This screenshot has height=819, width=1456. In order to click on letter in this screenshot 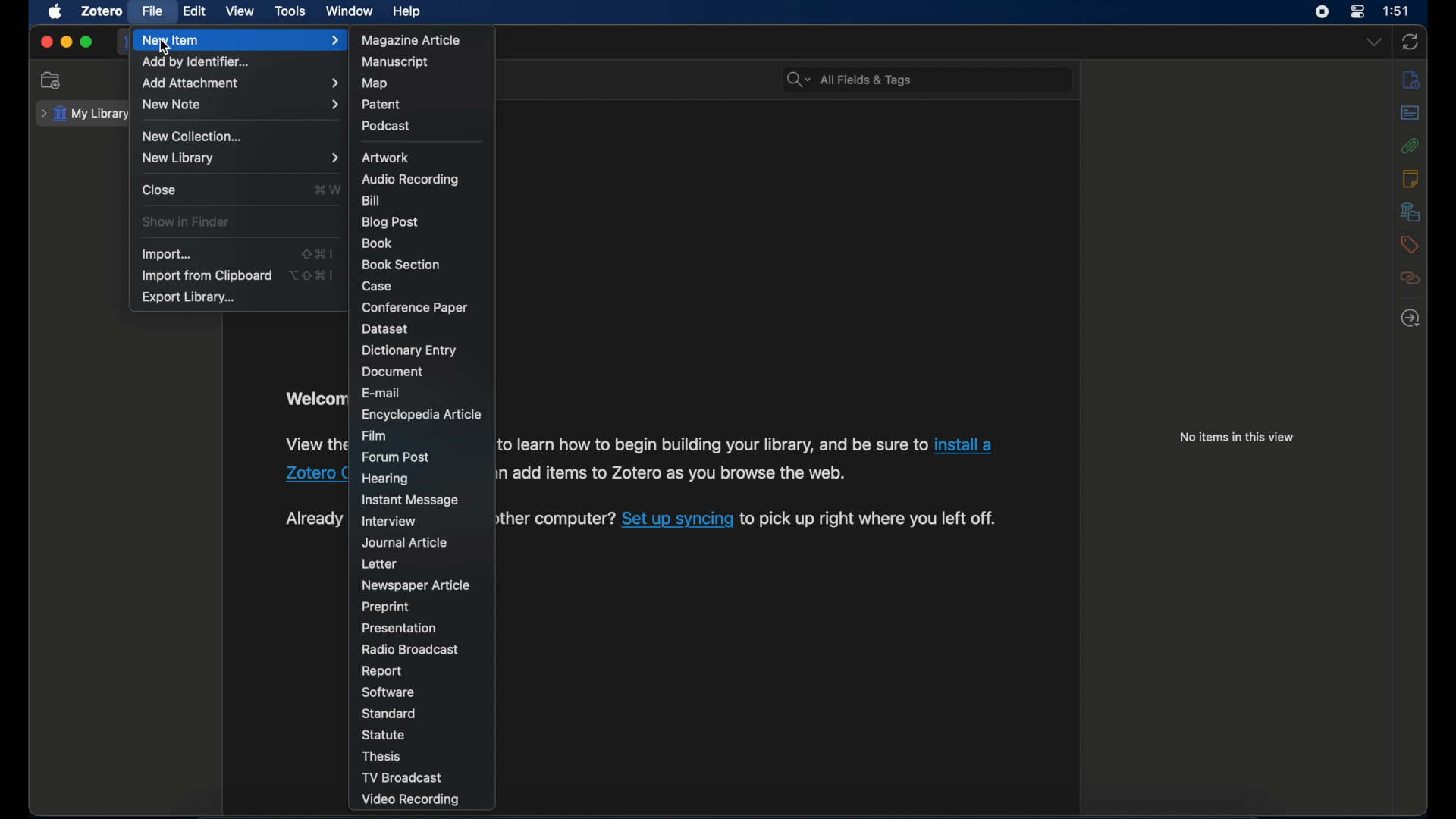, I will do `click(381, 564)`.